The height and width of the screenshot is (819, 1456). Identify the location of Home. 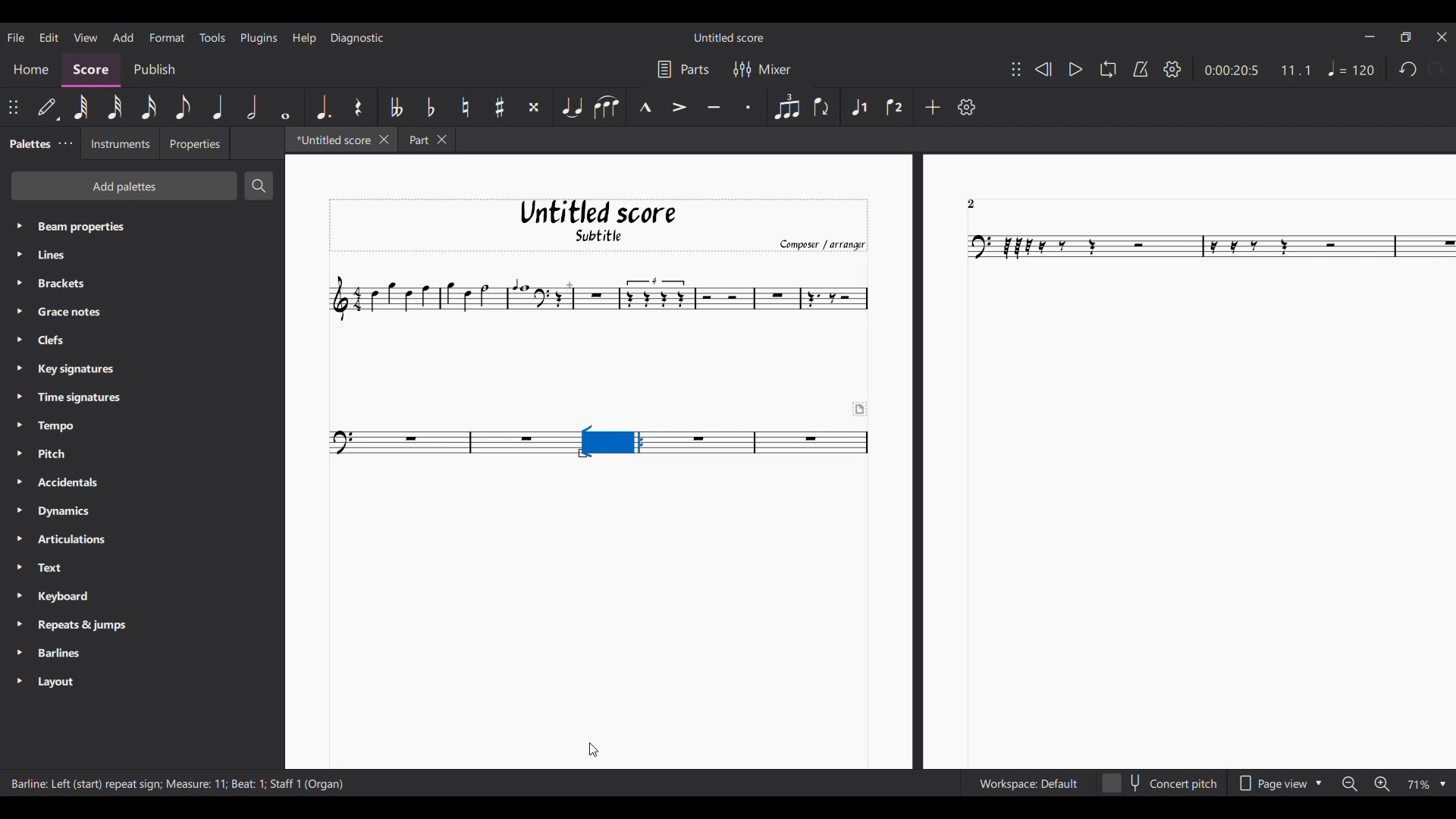
(30, 71).